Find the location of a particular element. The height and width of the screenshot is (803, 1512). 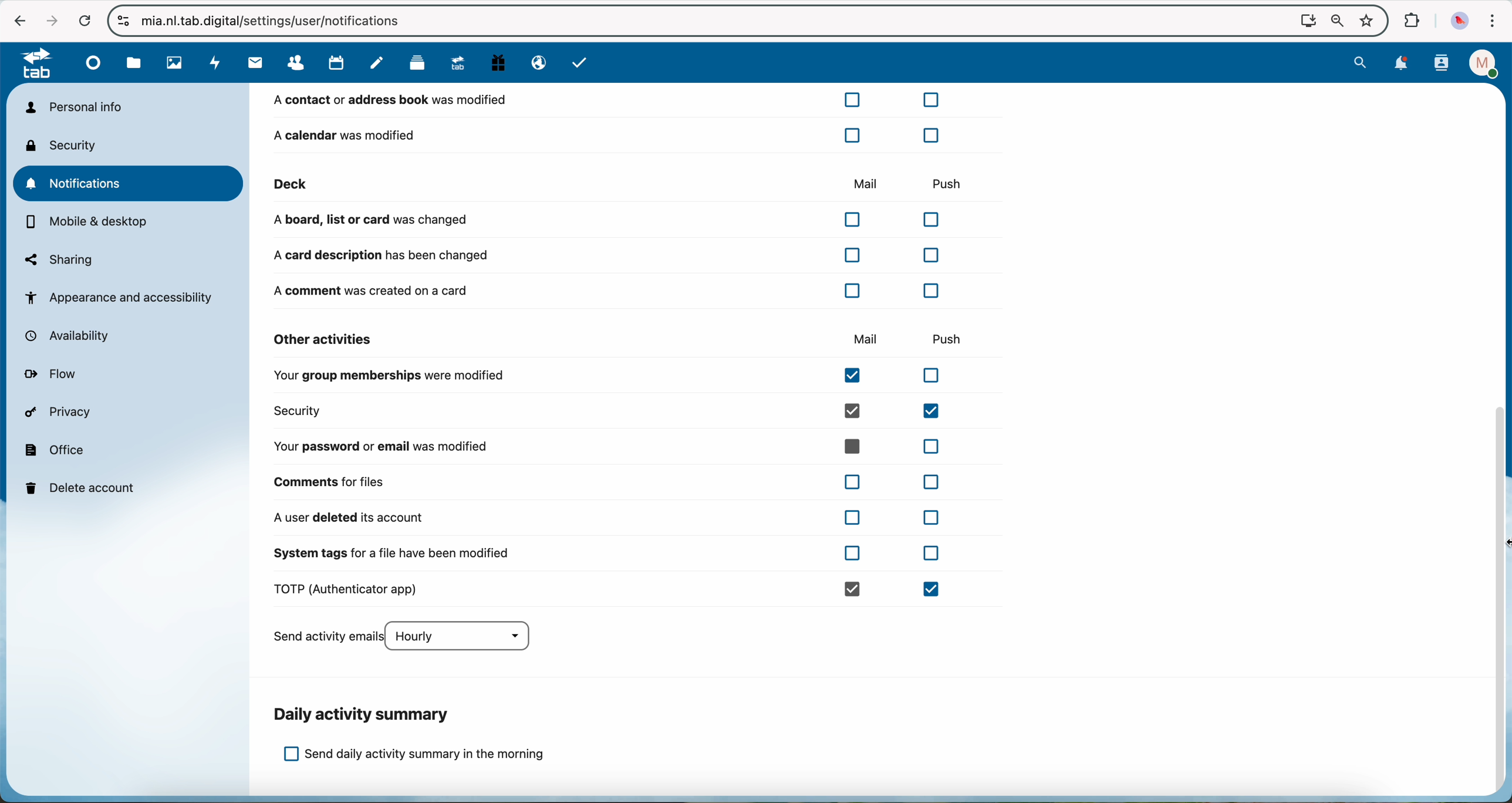

email is located at coordinates (536, 63).